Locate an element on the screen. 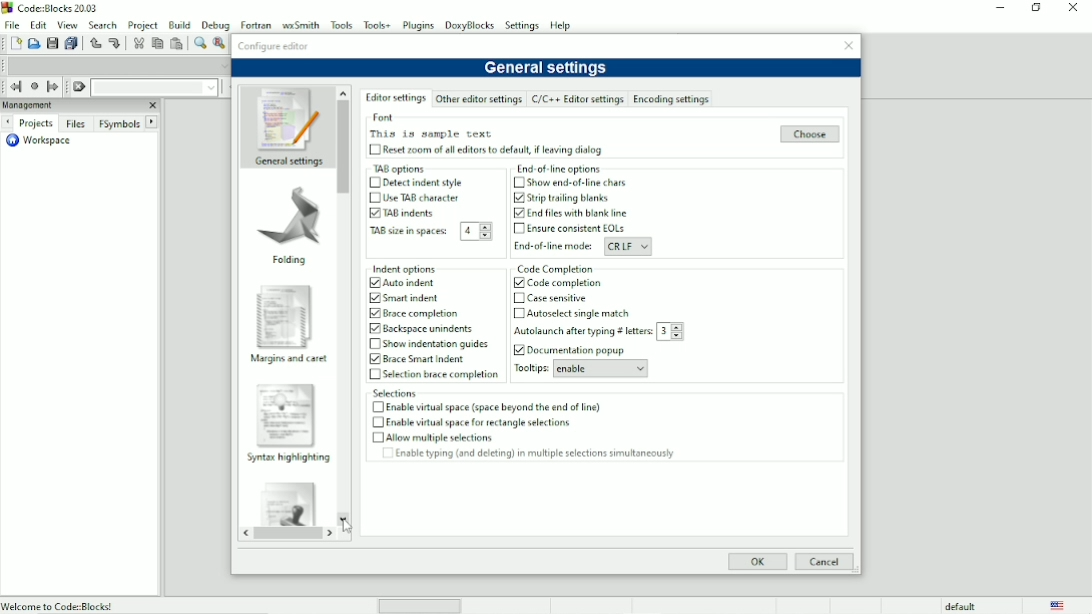  Vertical scrollbar is located at coordinates (344, 147).